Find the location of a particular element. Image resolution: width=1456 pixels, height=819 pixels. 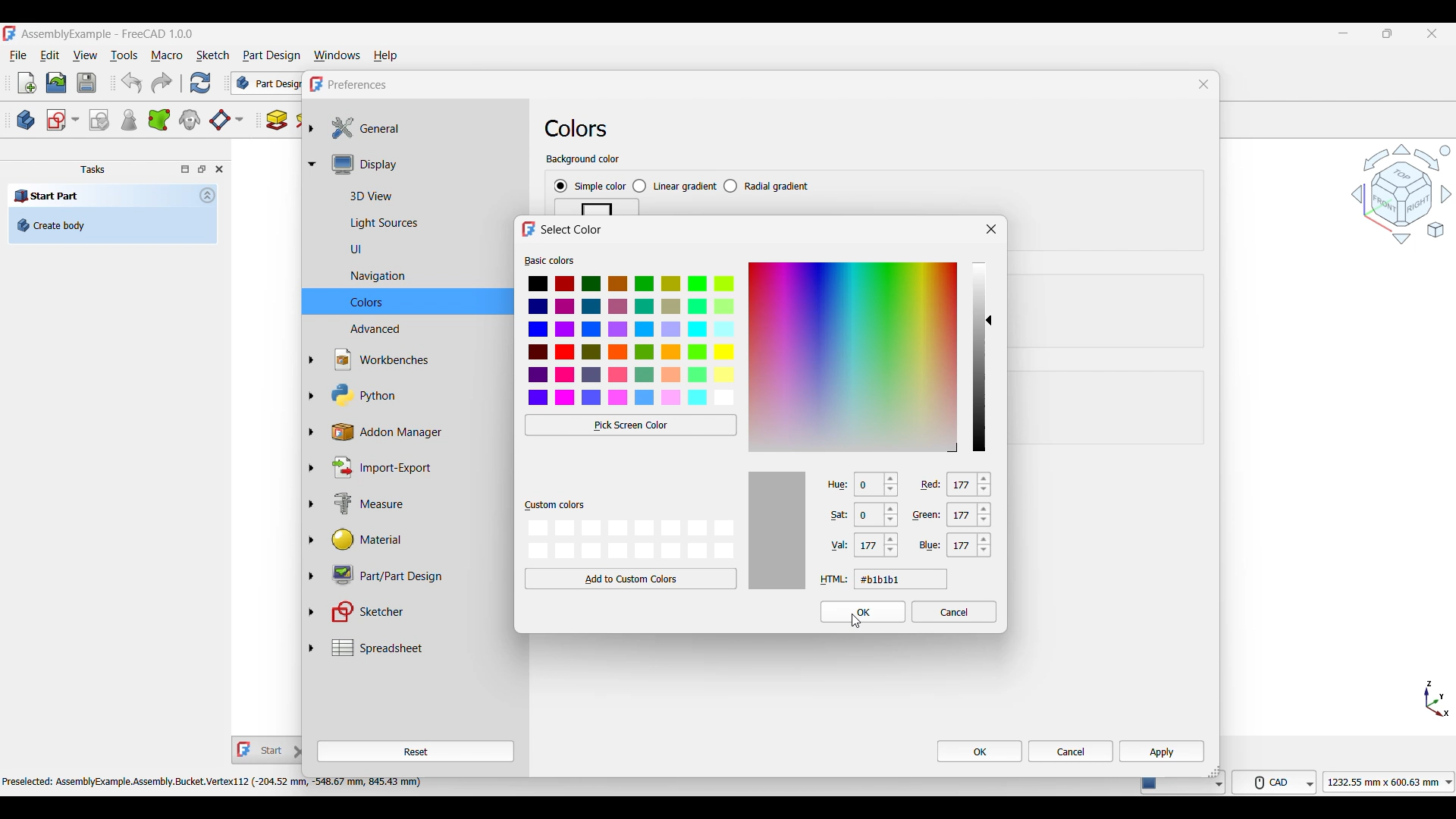

green is located at coordinates (929, 515).